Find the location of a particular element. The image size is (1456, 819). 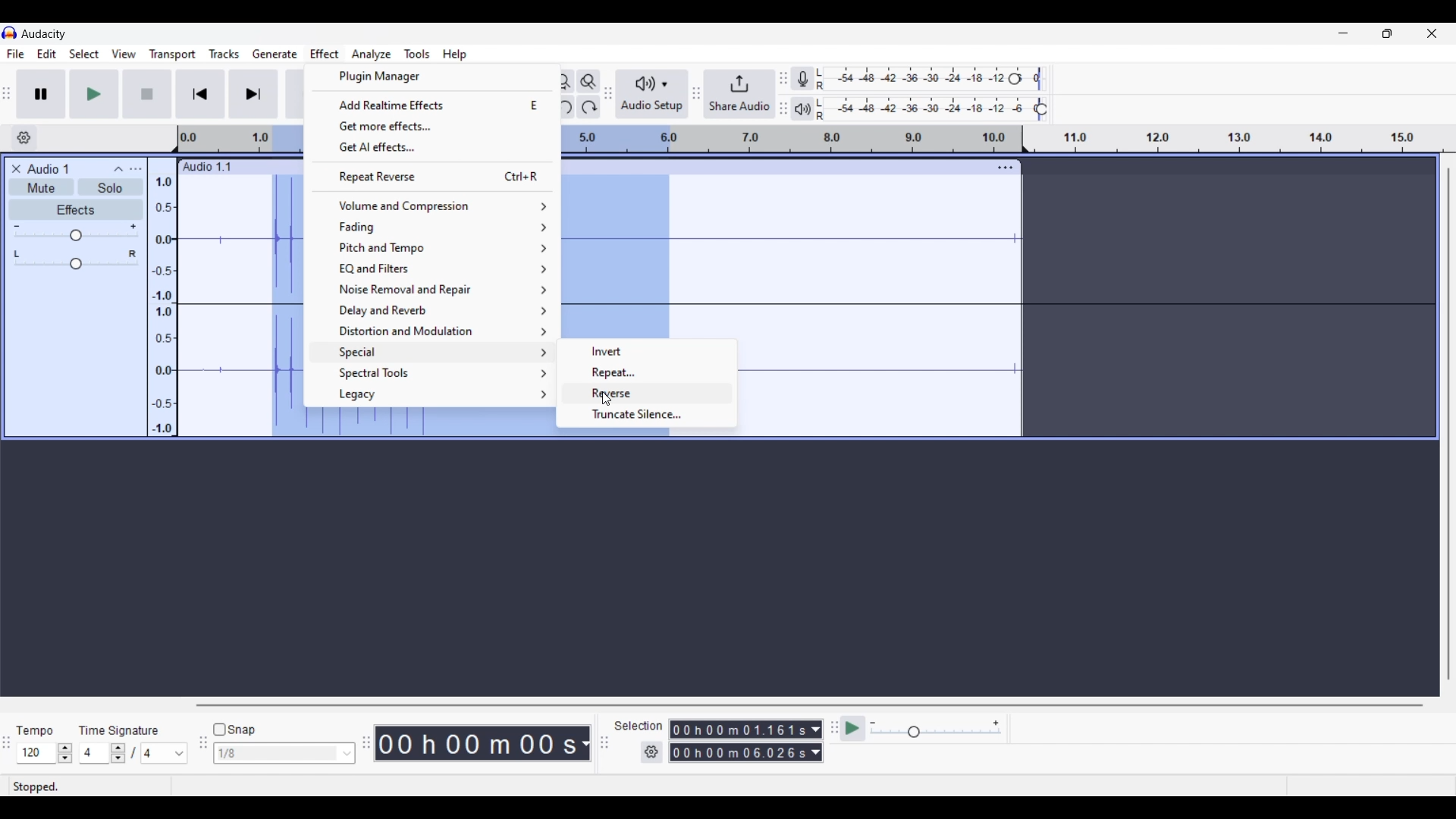

Zoom toggle is located at coordinates (588, 81).